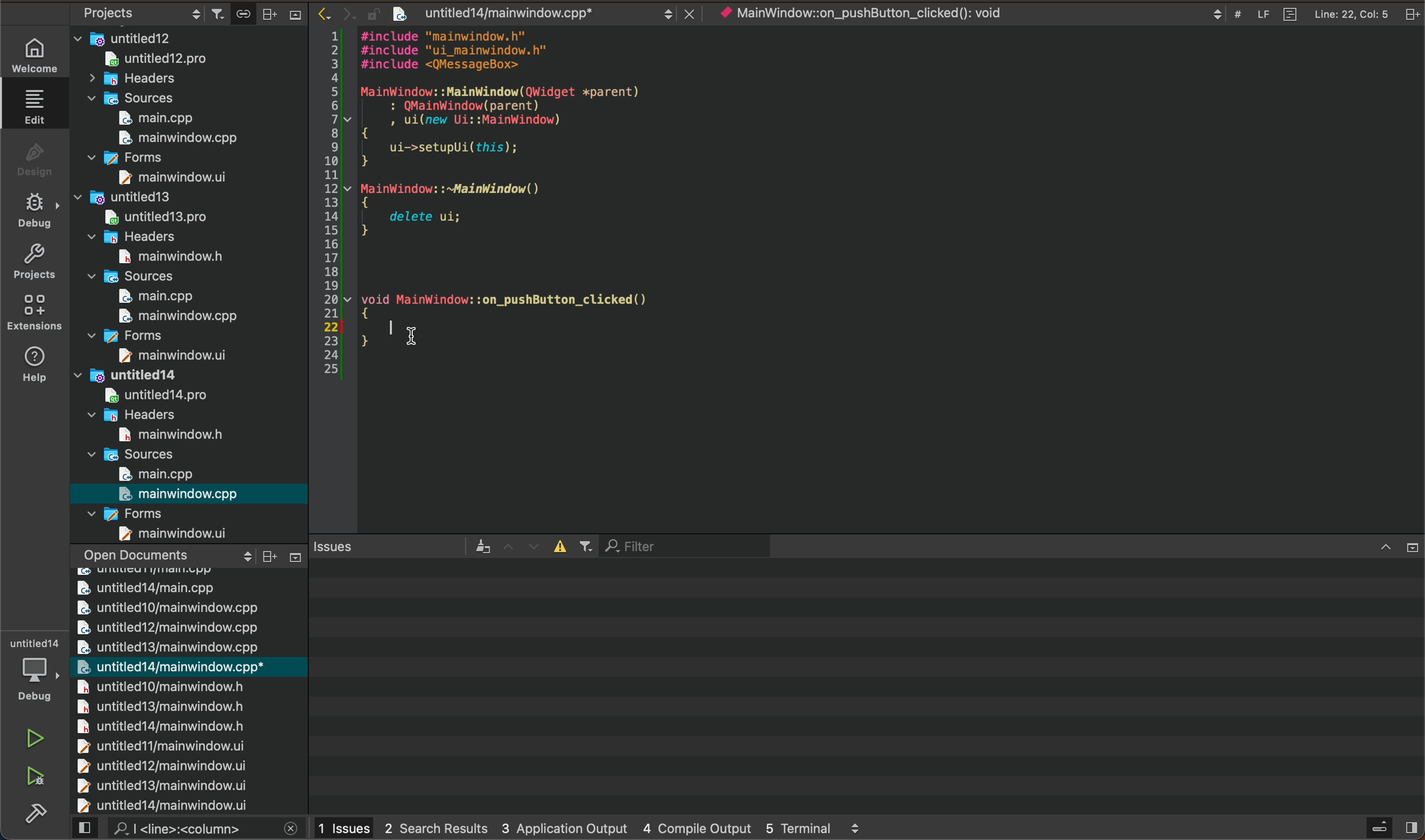 The image size is (1425, 840). Describe the element at coordinates (147, 337) in the screenshot. I see `forms` at that location.